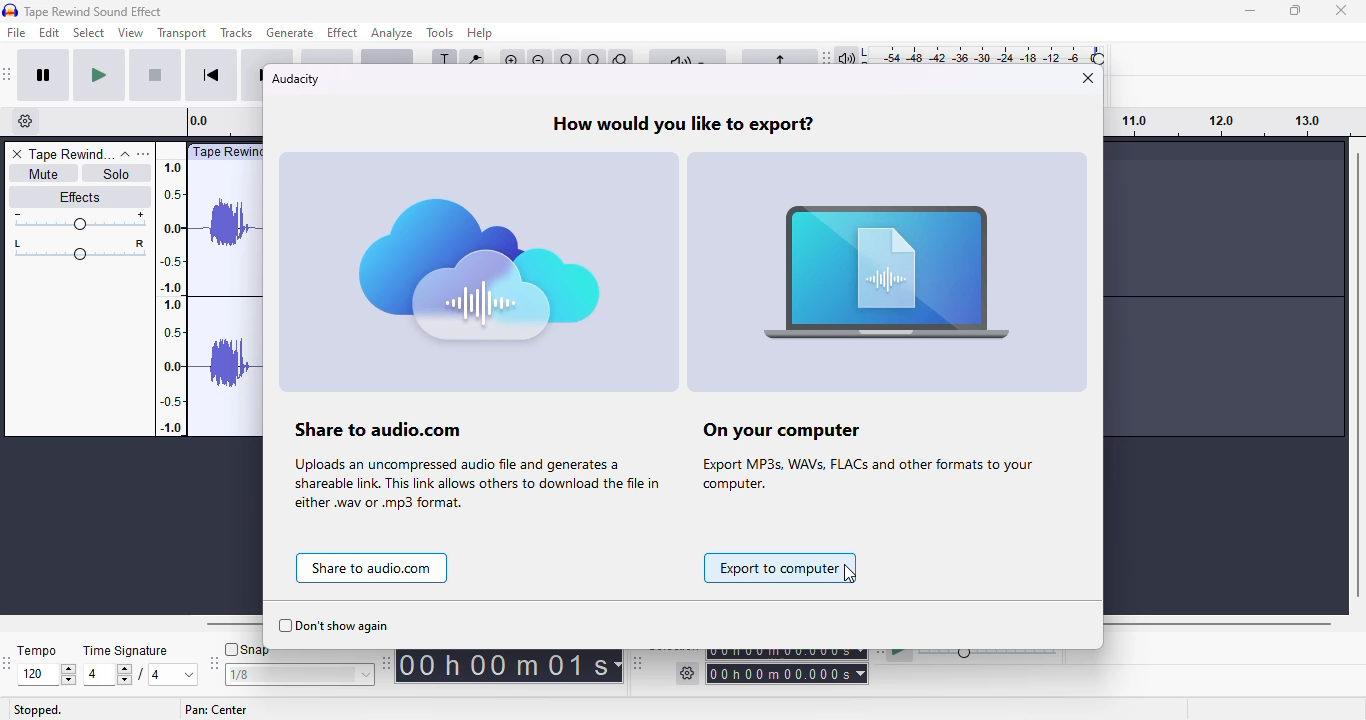  What do you see at coordinates (156, 76) in the screenshot?
I see `stop` at bounding box center [156, 76].